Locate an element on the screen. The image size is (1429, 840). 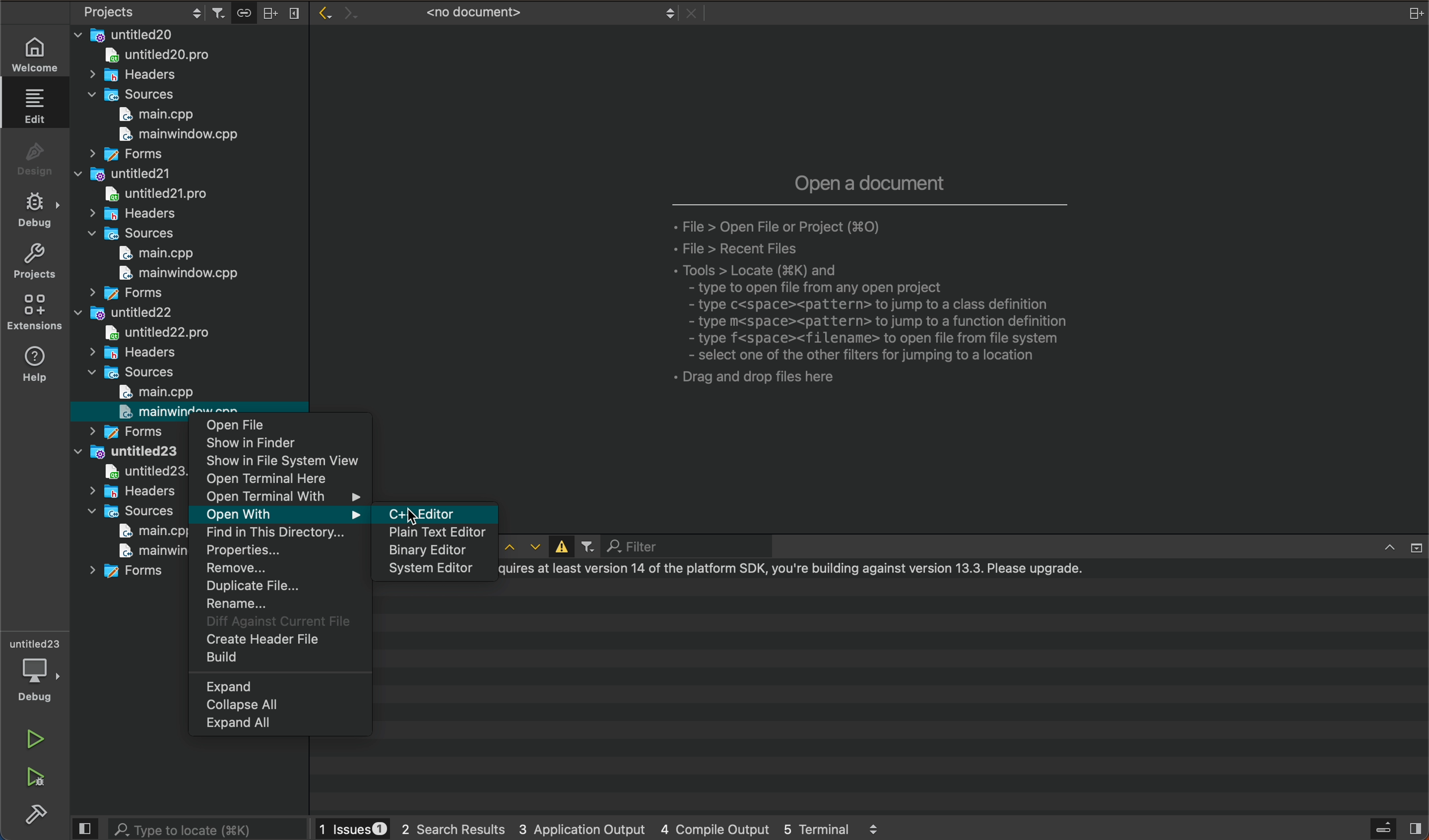
collapse all is located at coordinates (280, 705).